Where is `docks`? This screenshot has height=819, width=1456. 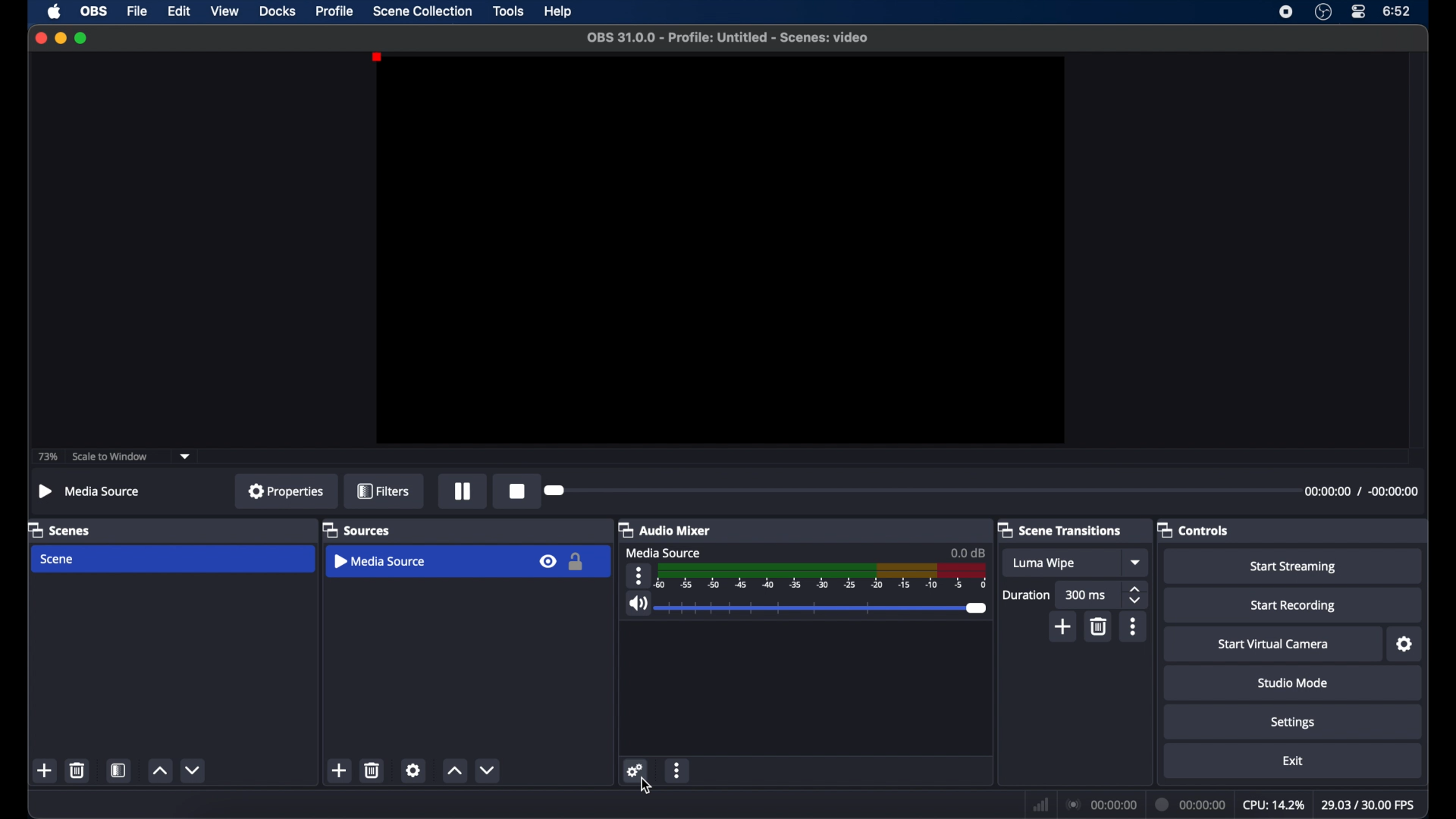
docks is located at coordinates (278, 12).